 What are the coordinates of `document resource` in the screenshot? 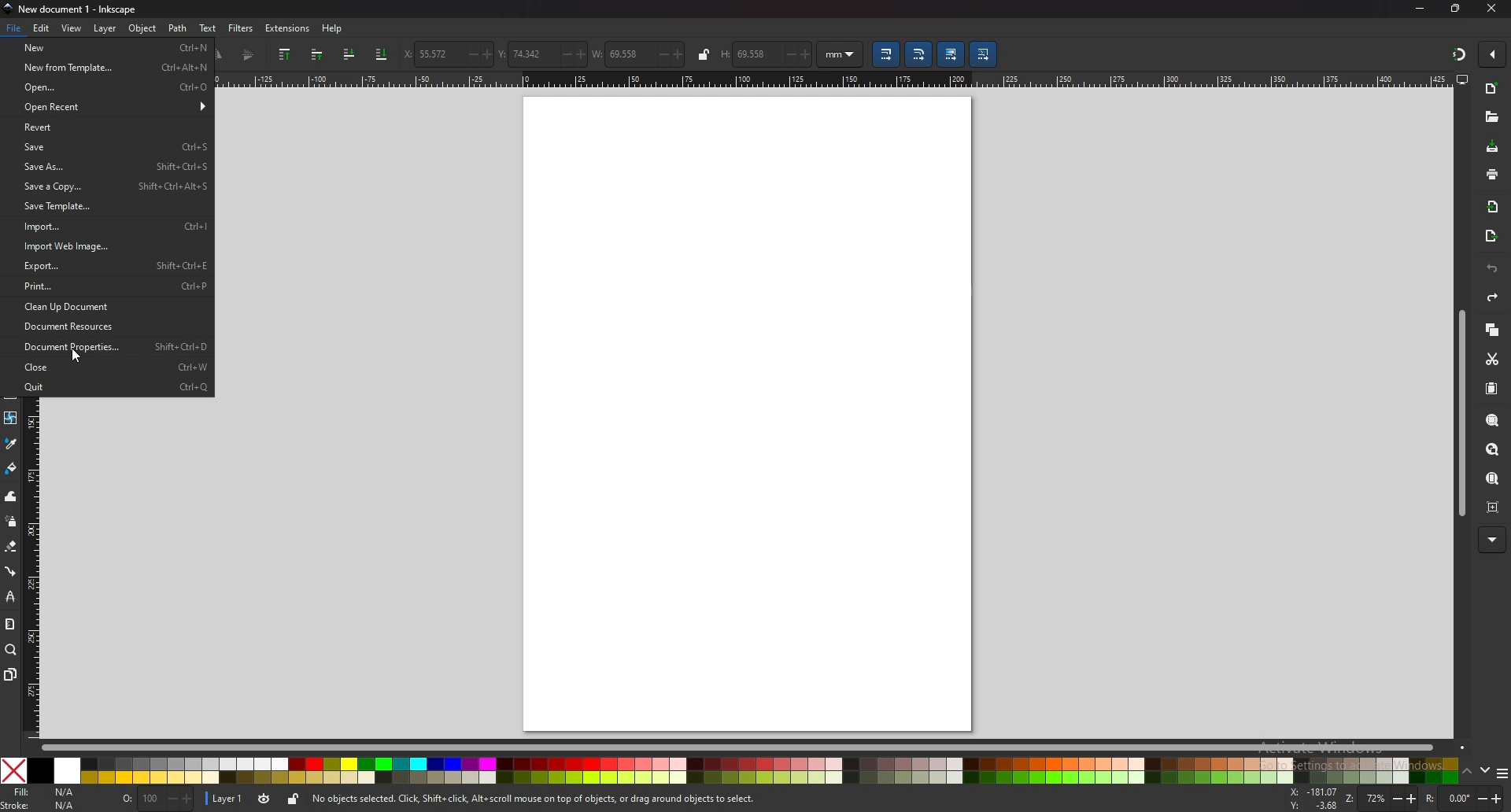 It's located at (107, 326).